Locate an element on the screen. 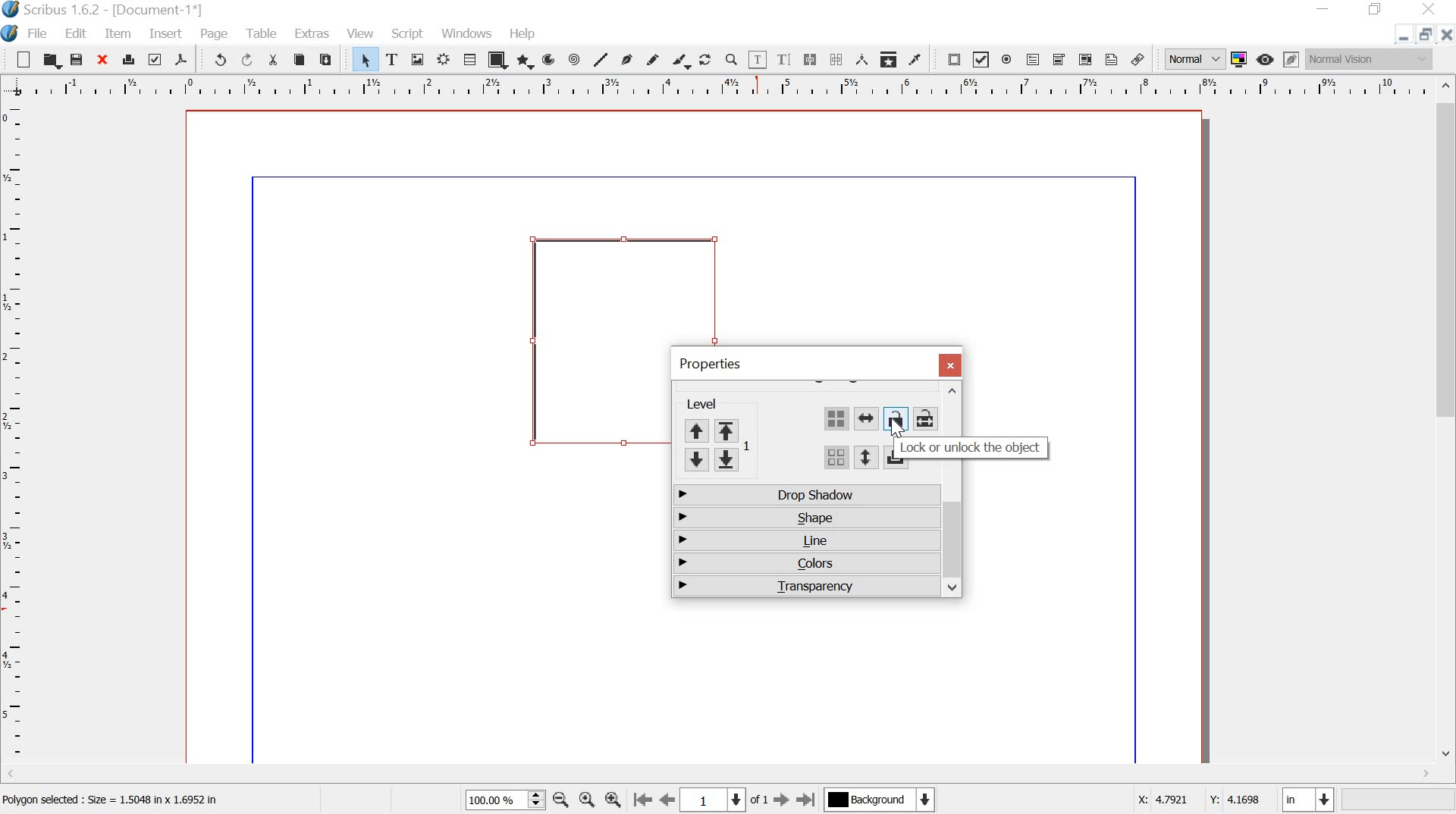 This screenshot has width=1456, height=814. text frame is located at coordinates (396, 60).